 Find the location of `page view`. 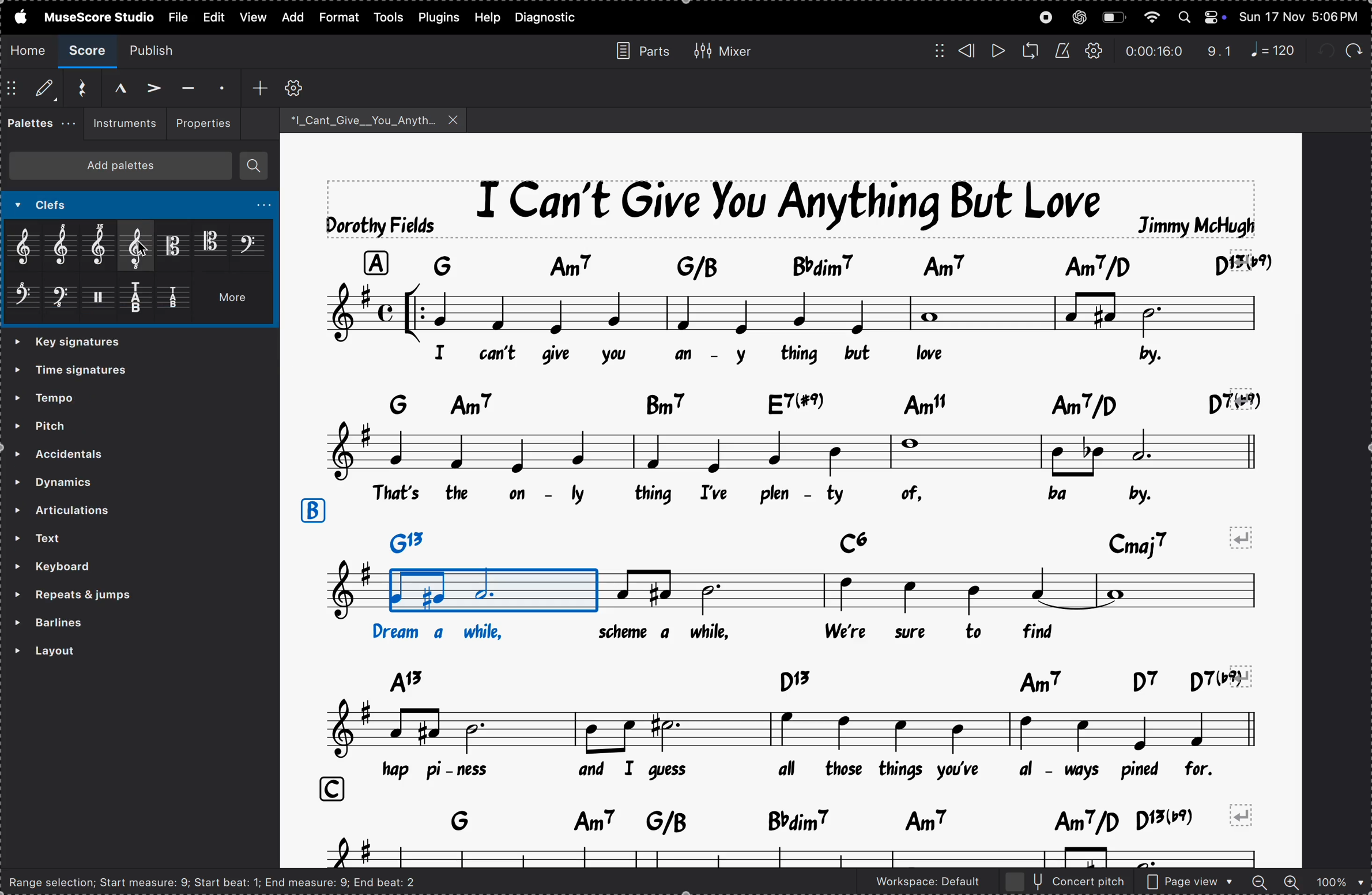

page view is located at coordinates (1190, 882).